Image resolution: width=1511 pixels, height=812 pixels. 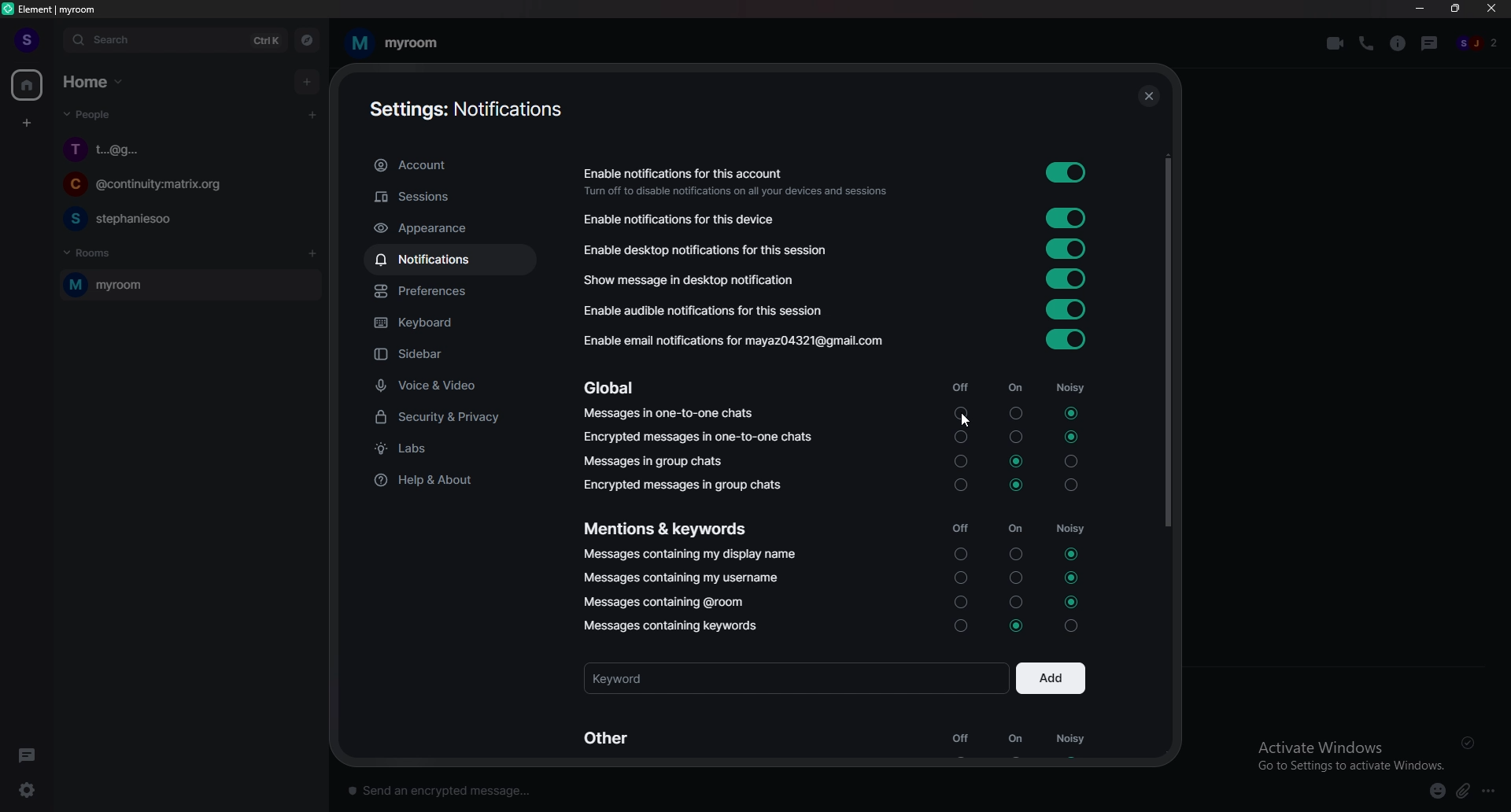 What do you see at coordinates (1334, 43) in the screenshot?
I see `video call` at bounding box center [1334, 43].